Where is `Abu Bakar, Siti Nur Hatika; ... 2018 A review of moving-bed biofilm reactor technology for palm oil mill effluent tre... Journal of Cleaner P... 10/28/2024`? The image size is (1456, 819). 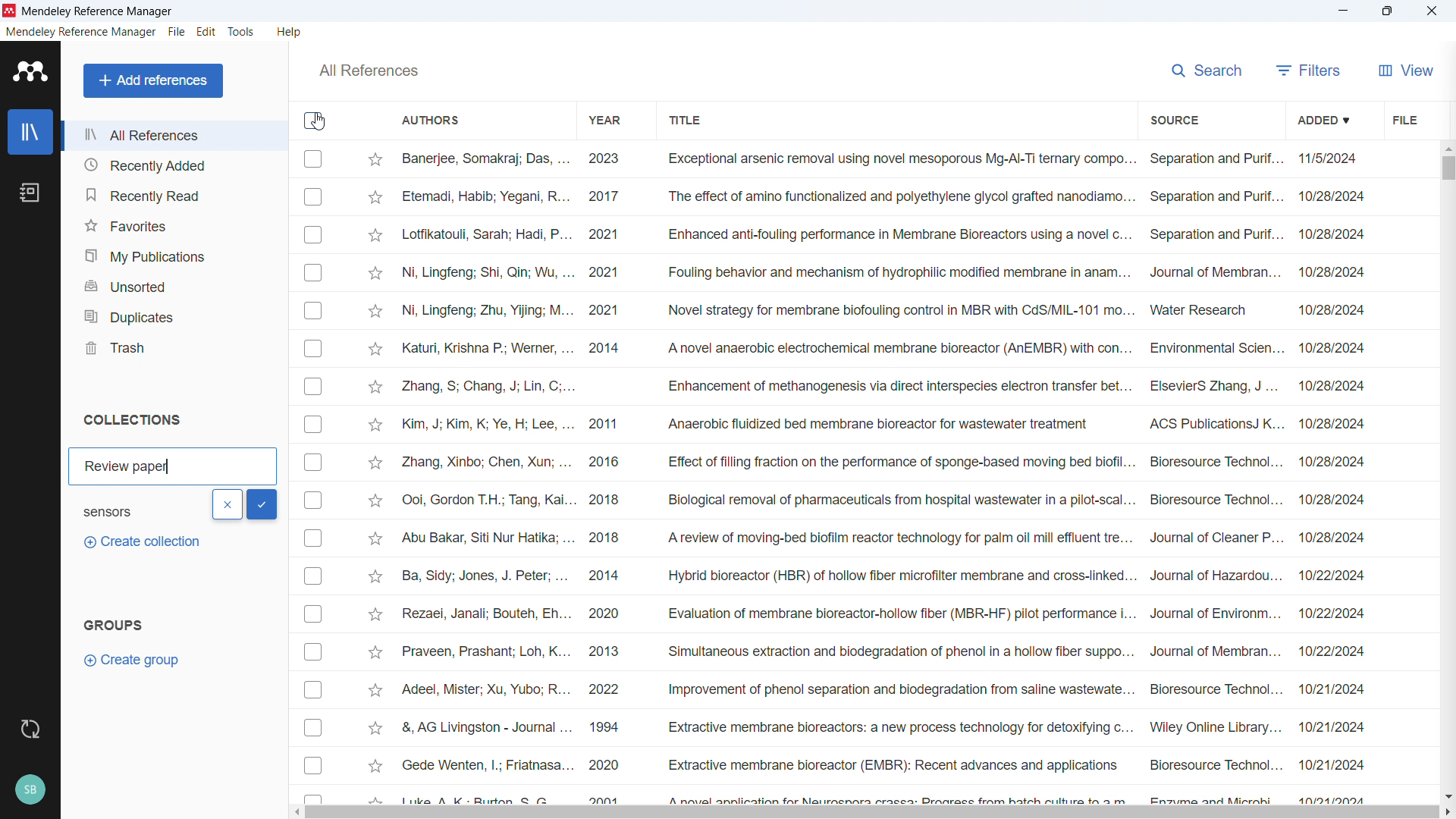
Abu Bakar, Siti Nur Hatika; ... 2018 A review of moving-bed biofilm reactor technology for palm oil mill effluent tre... Journal of Cleaner P... 10/28/2024 is located at coordinates (883, 537).